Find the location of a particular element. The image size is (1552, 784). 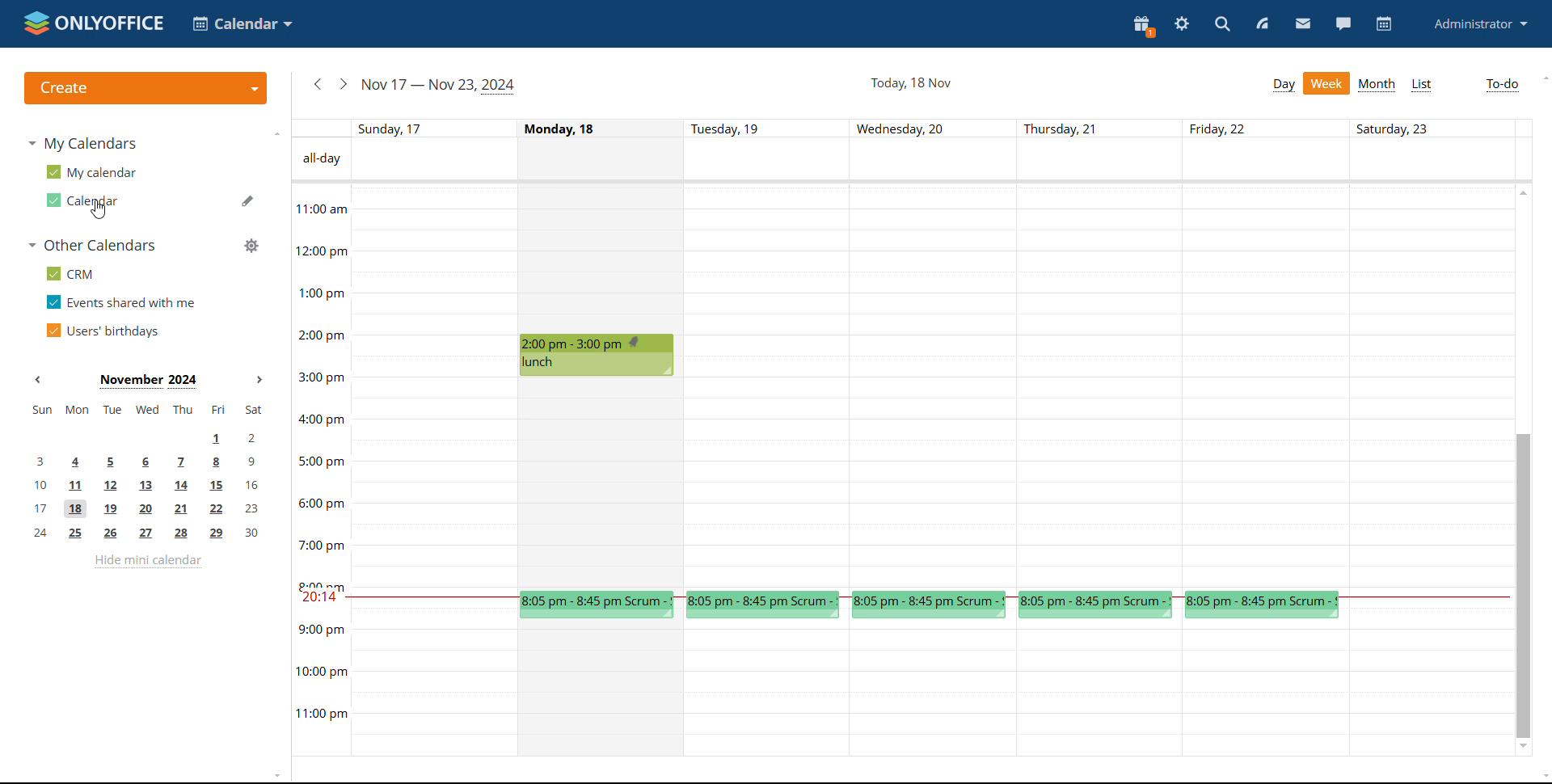

next month is located at coordinates (260, 379).